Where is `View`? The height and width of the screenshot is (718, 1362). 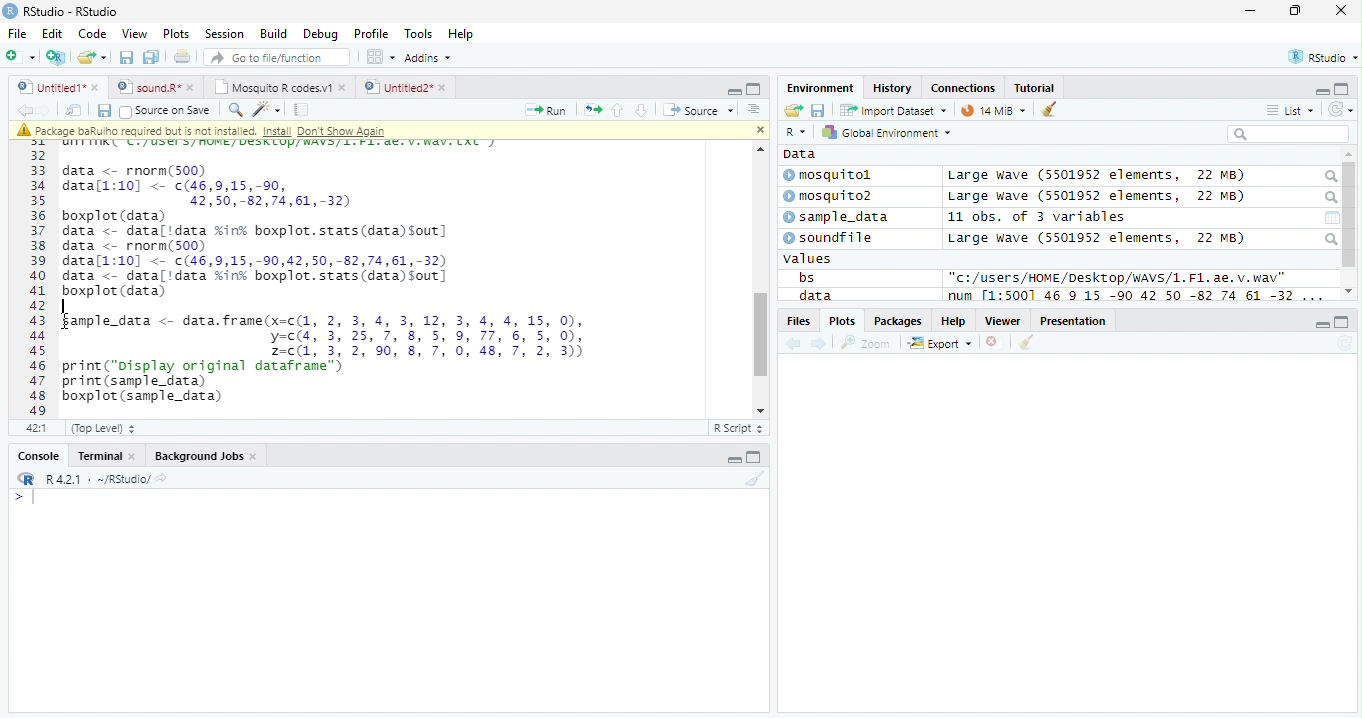 View is located at coordinates (136, 33).